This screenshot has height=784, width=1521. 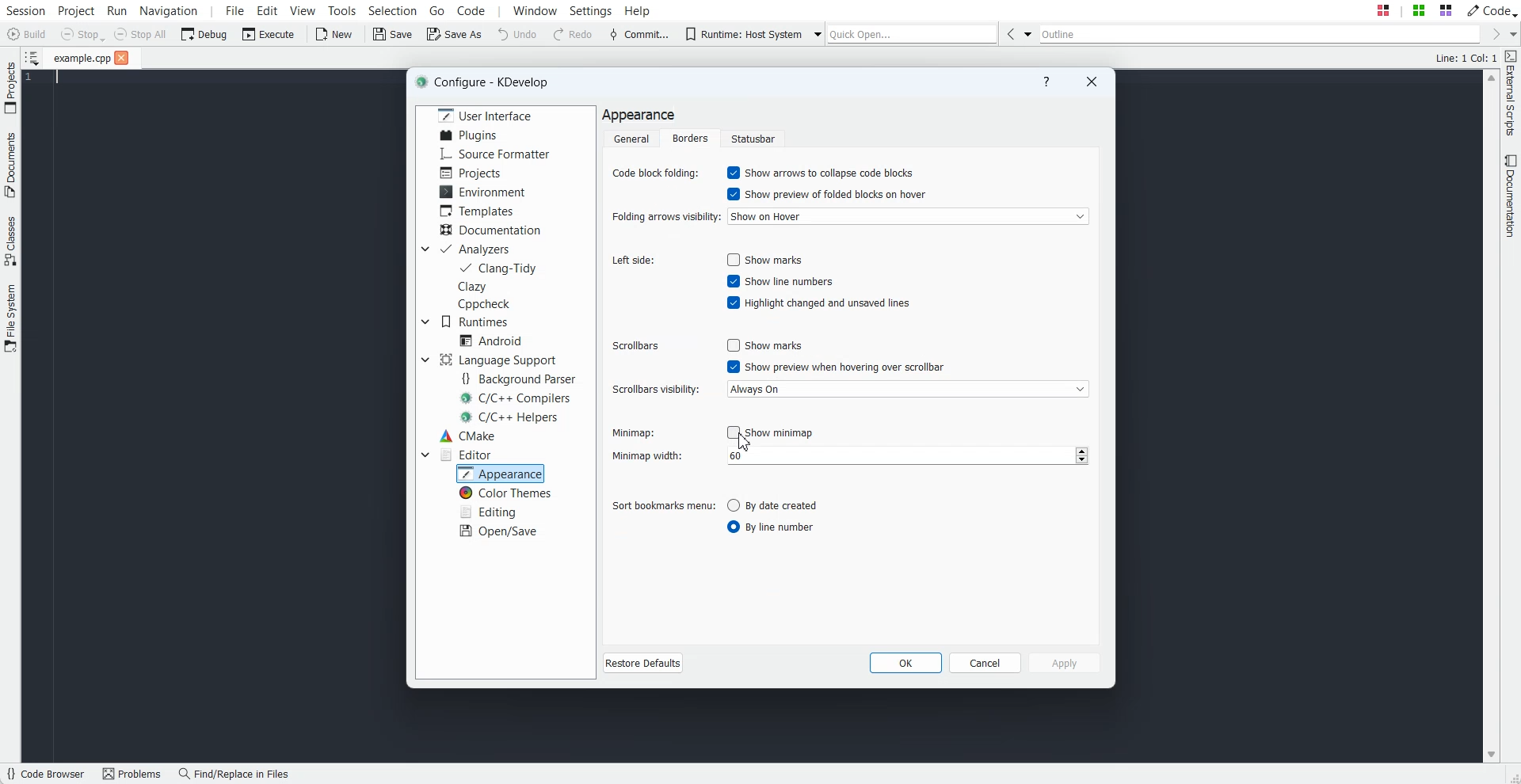 I want to click on Open/Save, so click(x=500, y=531).